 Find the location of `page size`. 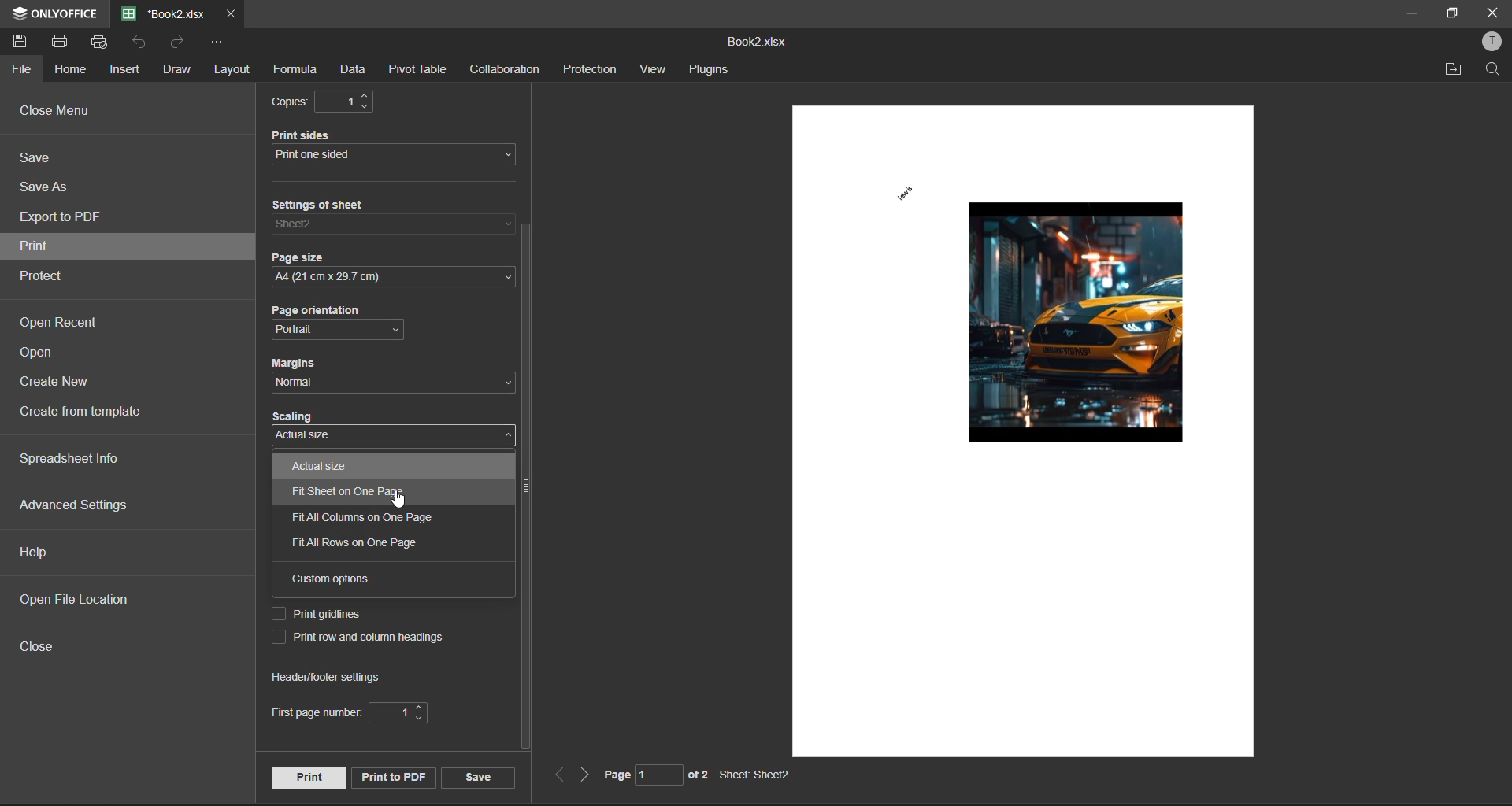

page size is located at coordinates (308, 260).